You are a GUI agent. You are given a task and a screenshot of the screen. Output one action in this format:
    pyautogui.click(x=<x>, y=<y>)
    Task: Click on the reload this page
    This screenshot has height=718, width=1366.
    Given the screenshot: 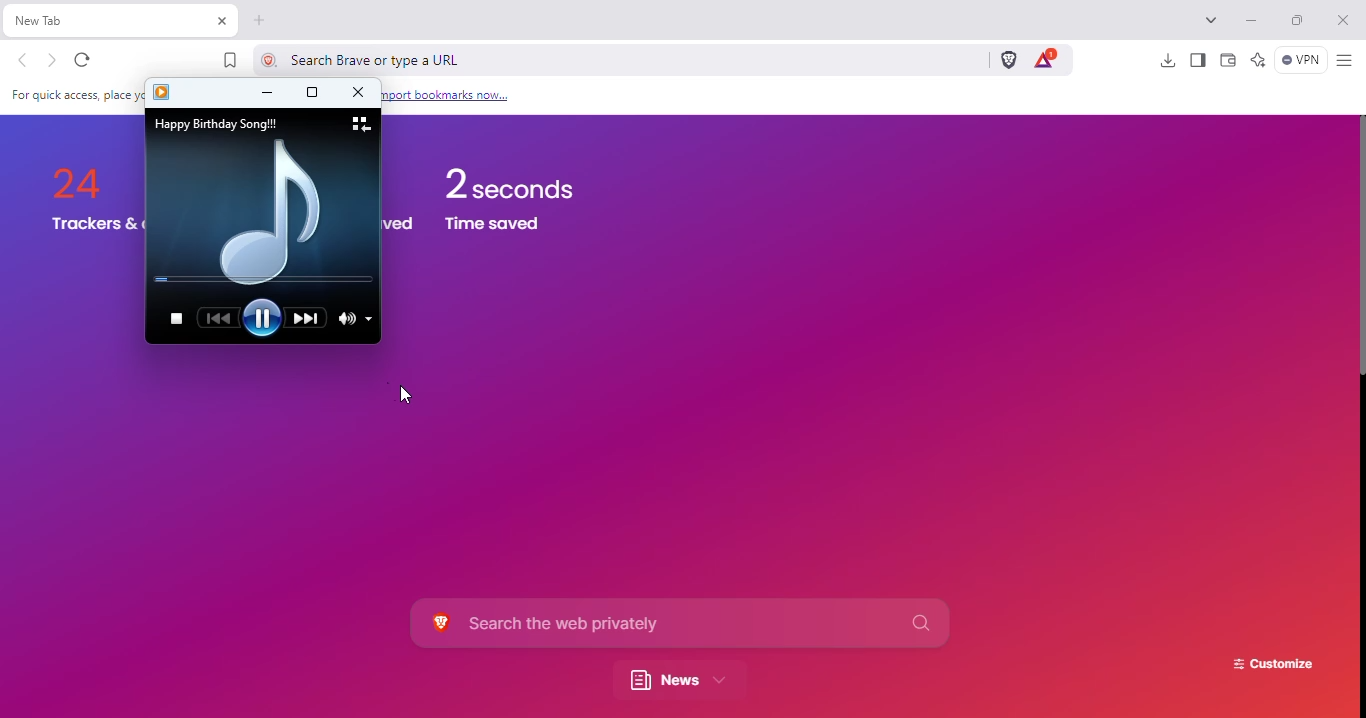 What is the action you would take?
    pyautogui.click(x=82, y=61)
    